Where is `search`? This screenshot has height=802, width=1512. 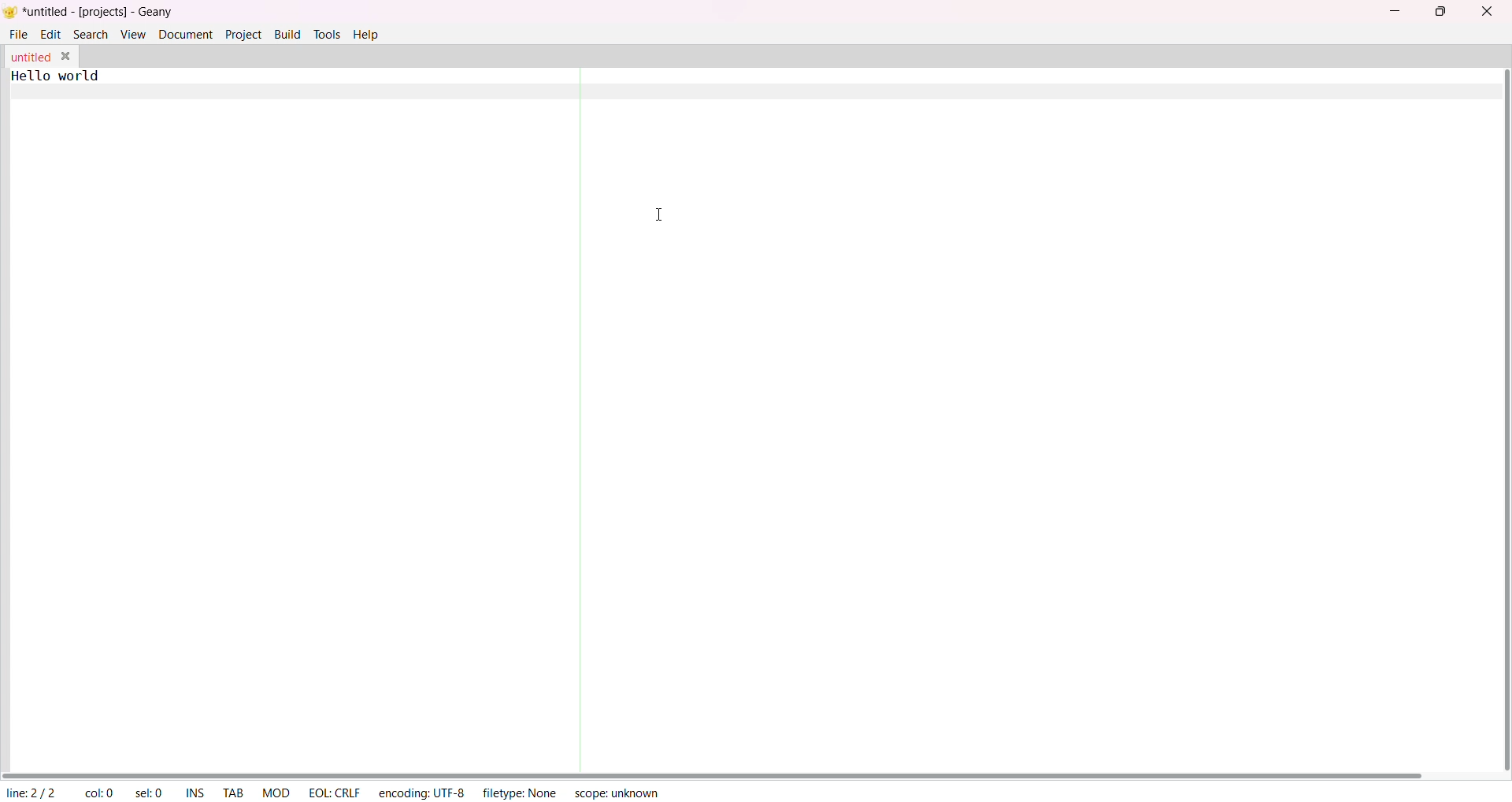
search is located at coordinates (91, 33).